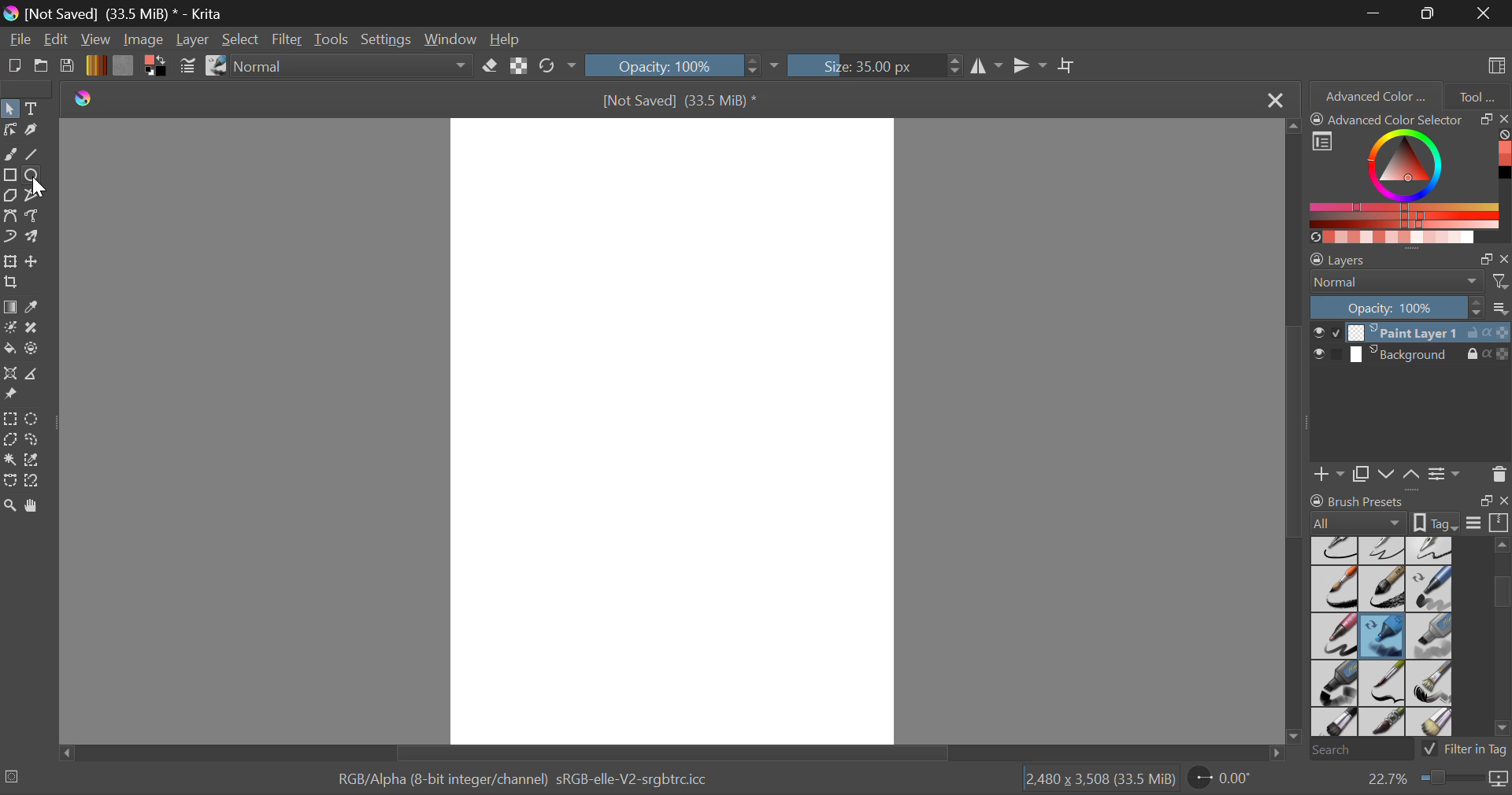 The height and width of the screenshot is (795, 1512). I want to click on Texture, so click(123, 65).